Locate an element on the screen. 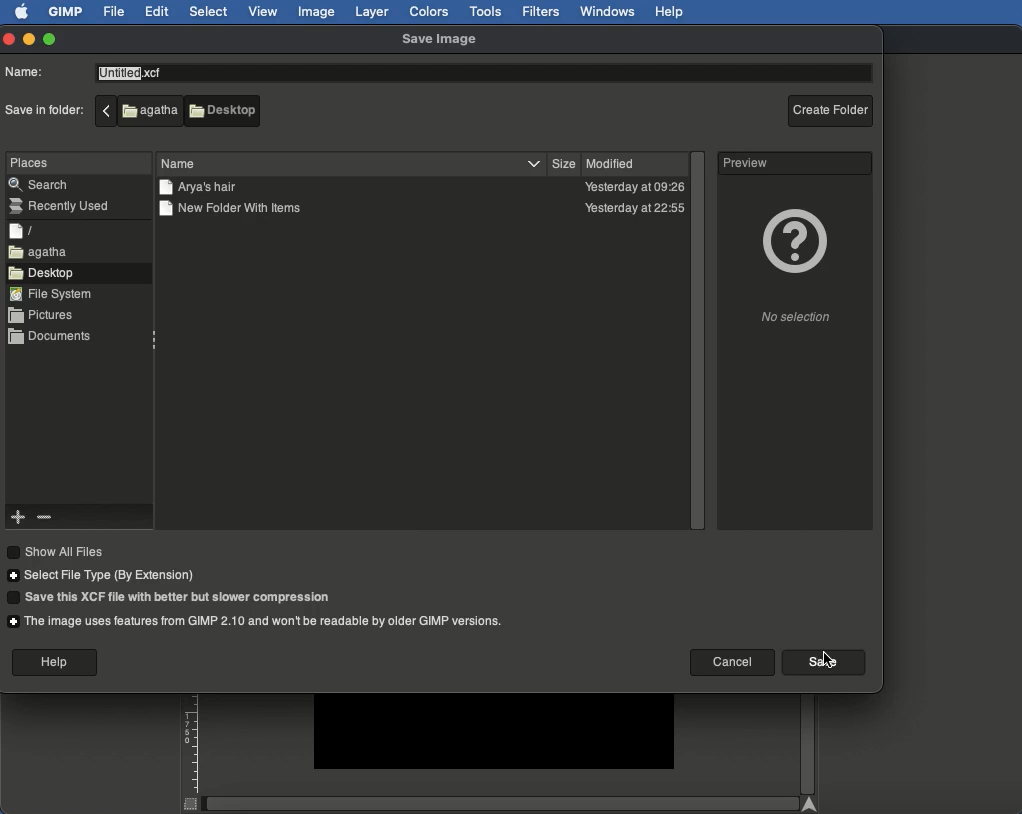 The width and height of the screenshot is (1022, 814). Slider is located at coordinates (506, 803).